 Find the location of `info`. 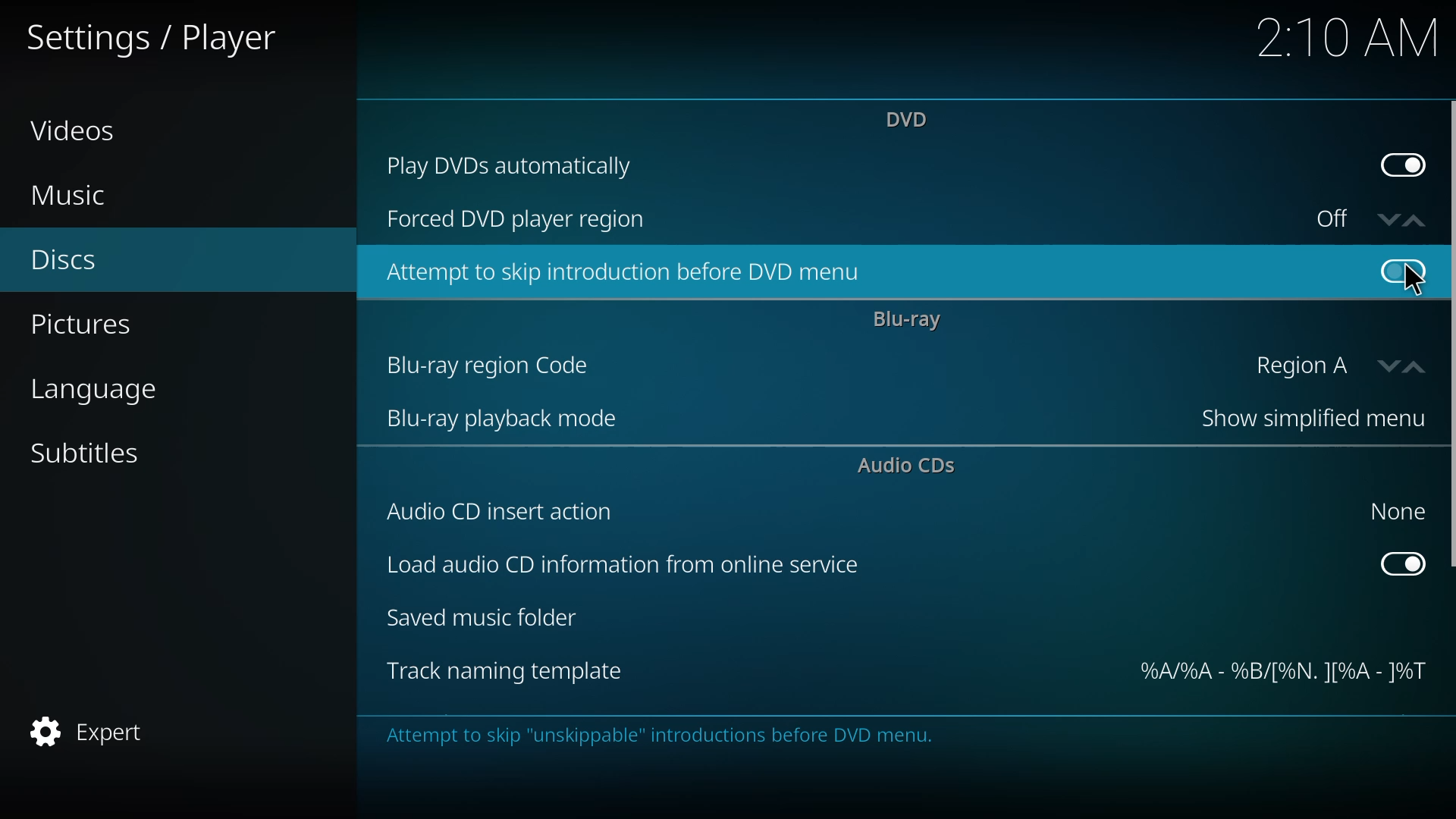

info is located at coordinates (670, 739).